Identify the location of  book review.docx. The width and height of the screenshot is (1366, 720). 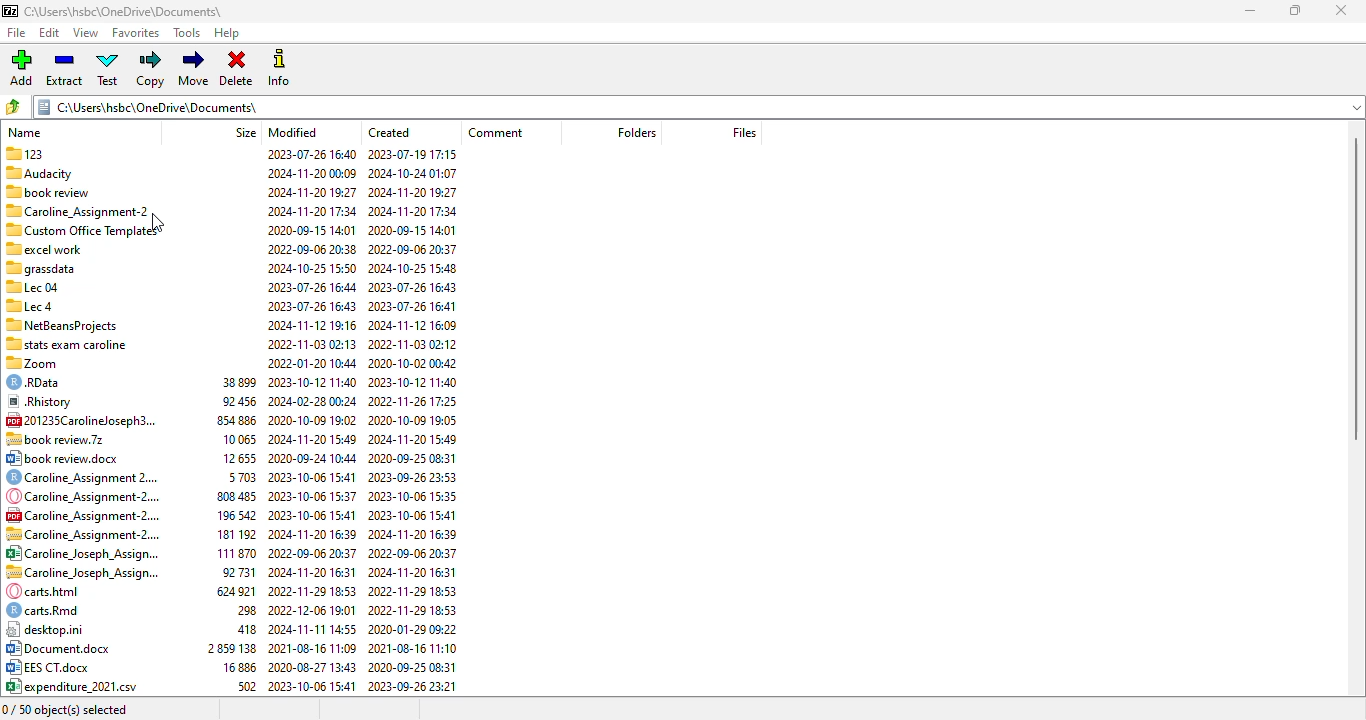
(63, 458).